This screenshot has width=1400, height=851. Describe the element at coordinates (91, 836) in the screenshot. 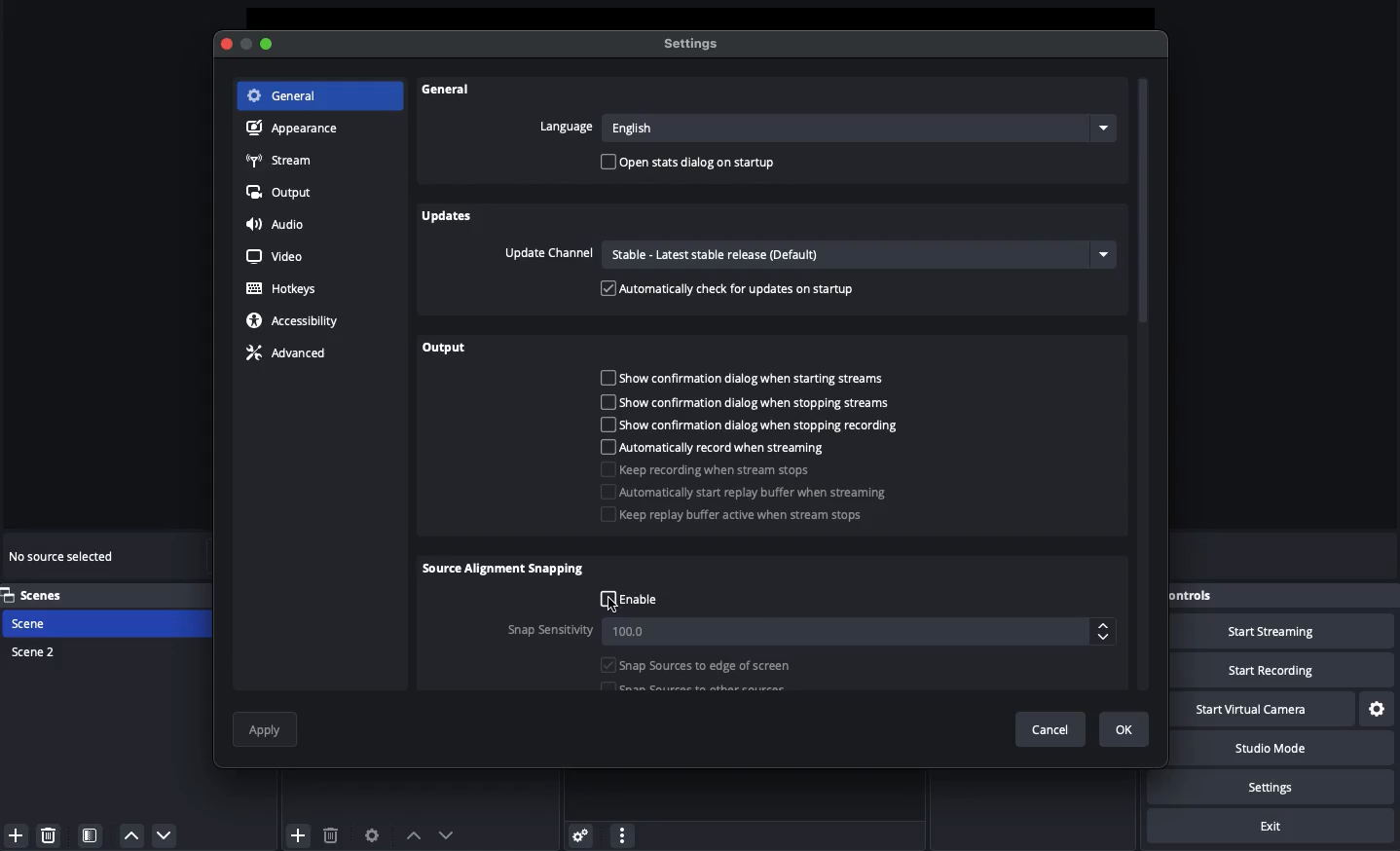

I see `Scene filter` at that location.